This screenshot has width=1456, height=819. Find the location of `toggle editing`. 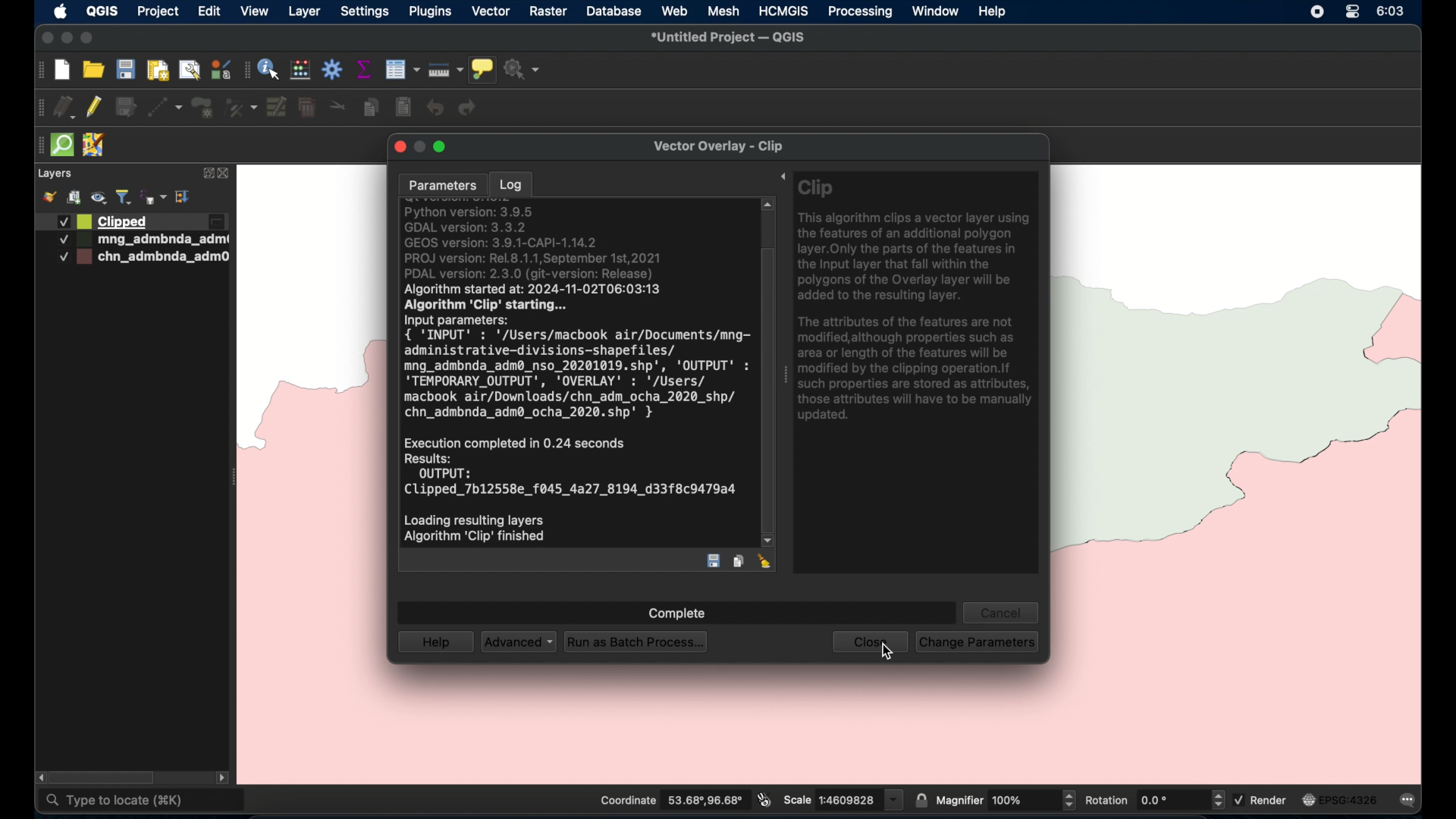

toggle editing is located at coordinates (93, 106).